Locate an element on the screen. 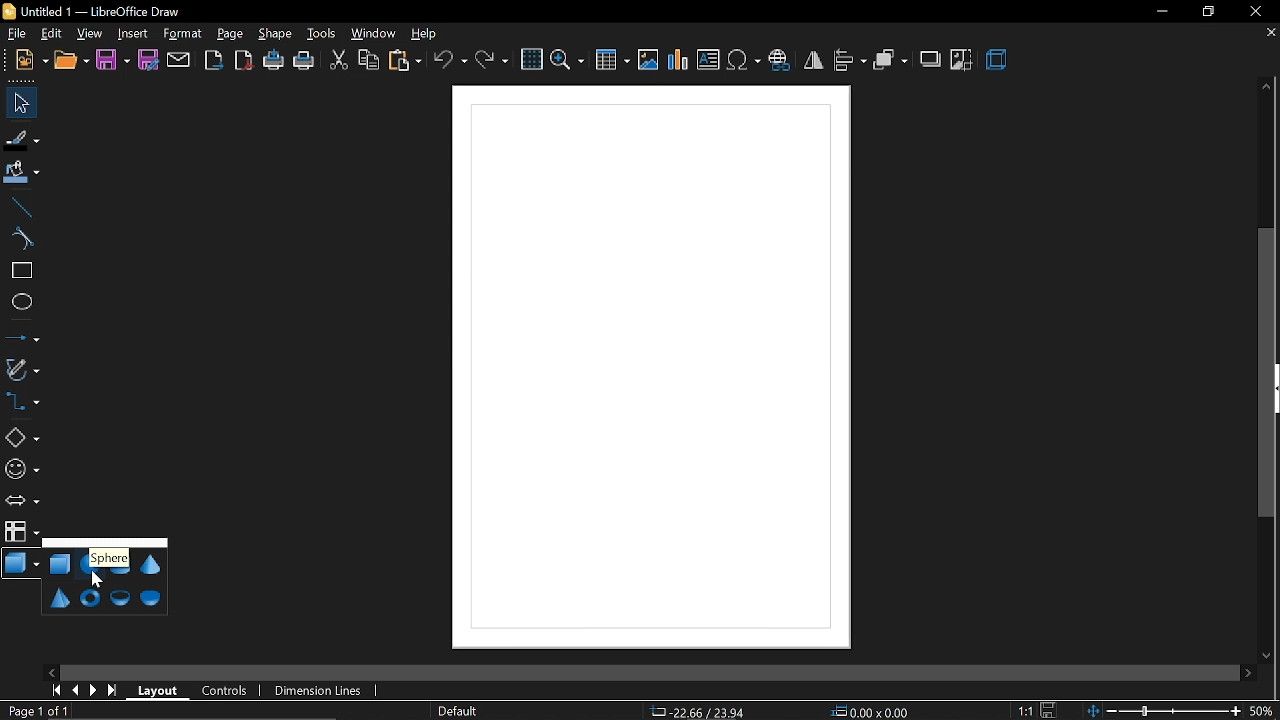 The height and width of the screenshot is (720, 1280). lines and arrows is located at coordinates (21, 335).